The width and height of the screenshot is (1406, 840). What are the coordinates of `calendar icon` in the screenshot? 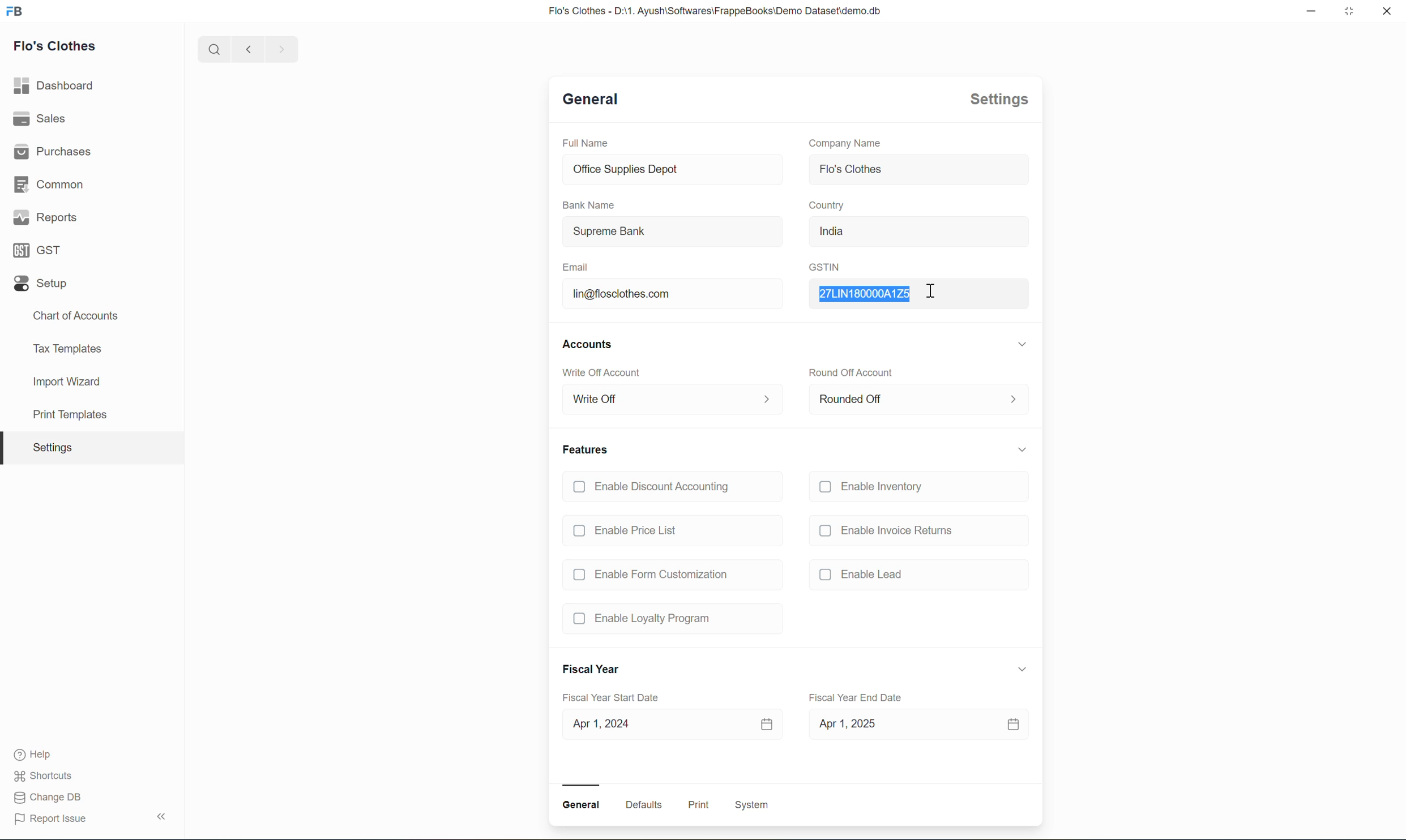 It's located at (767, 724).